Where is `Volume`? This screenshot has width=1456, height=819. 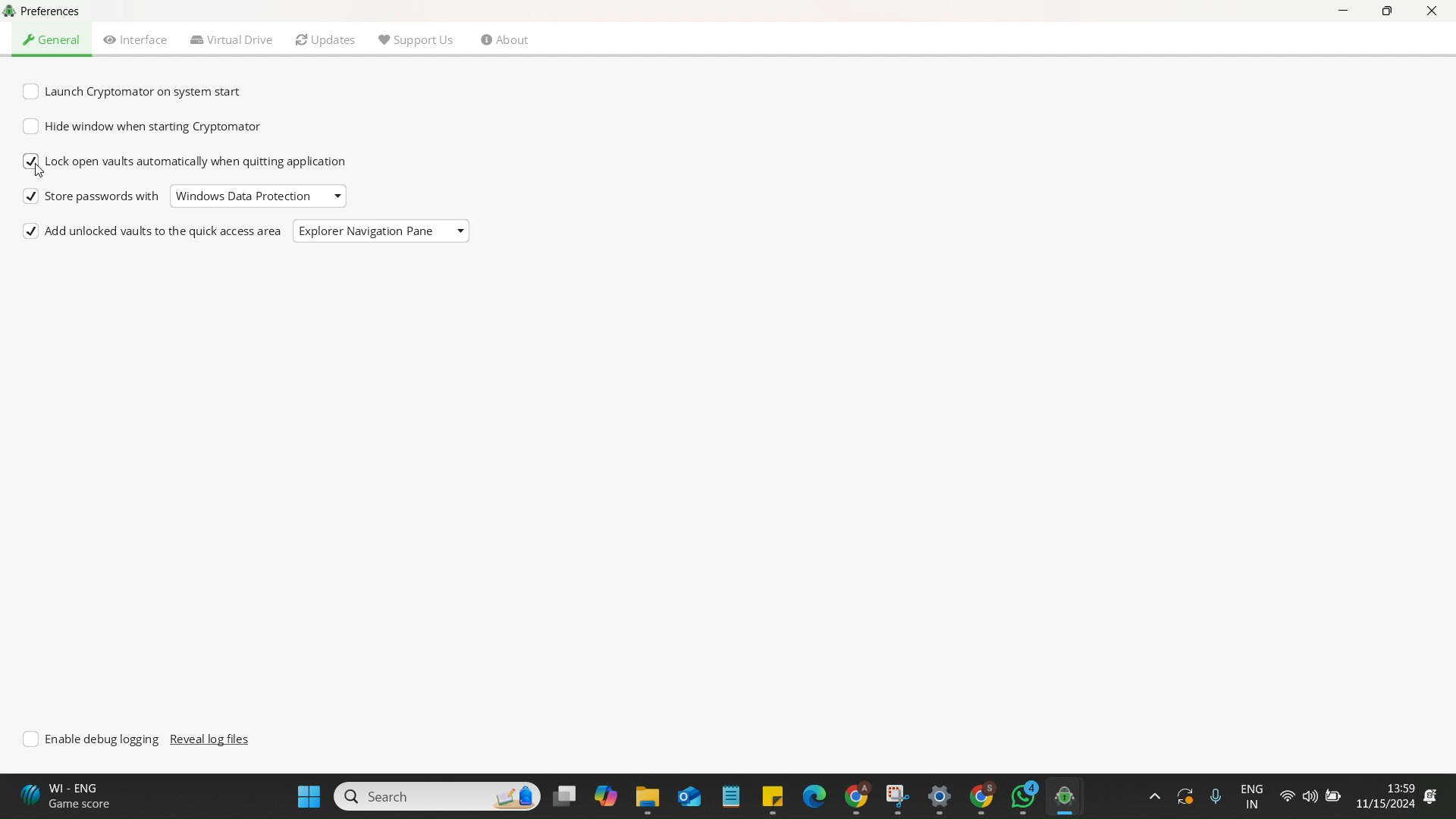 Volume is located at coordinates (1308, 797).